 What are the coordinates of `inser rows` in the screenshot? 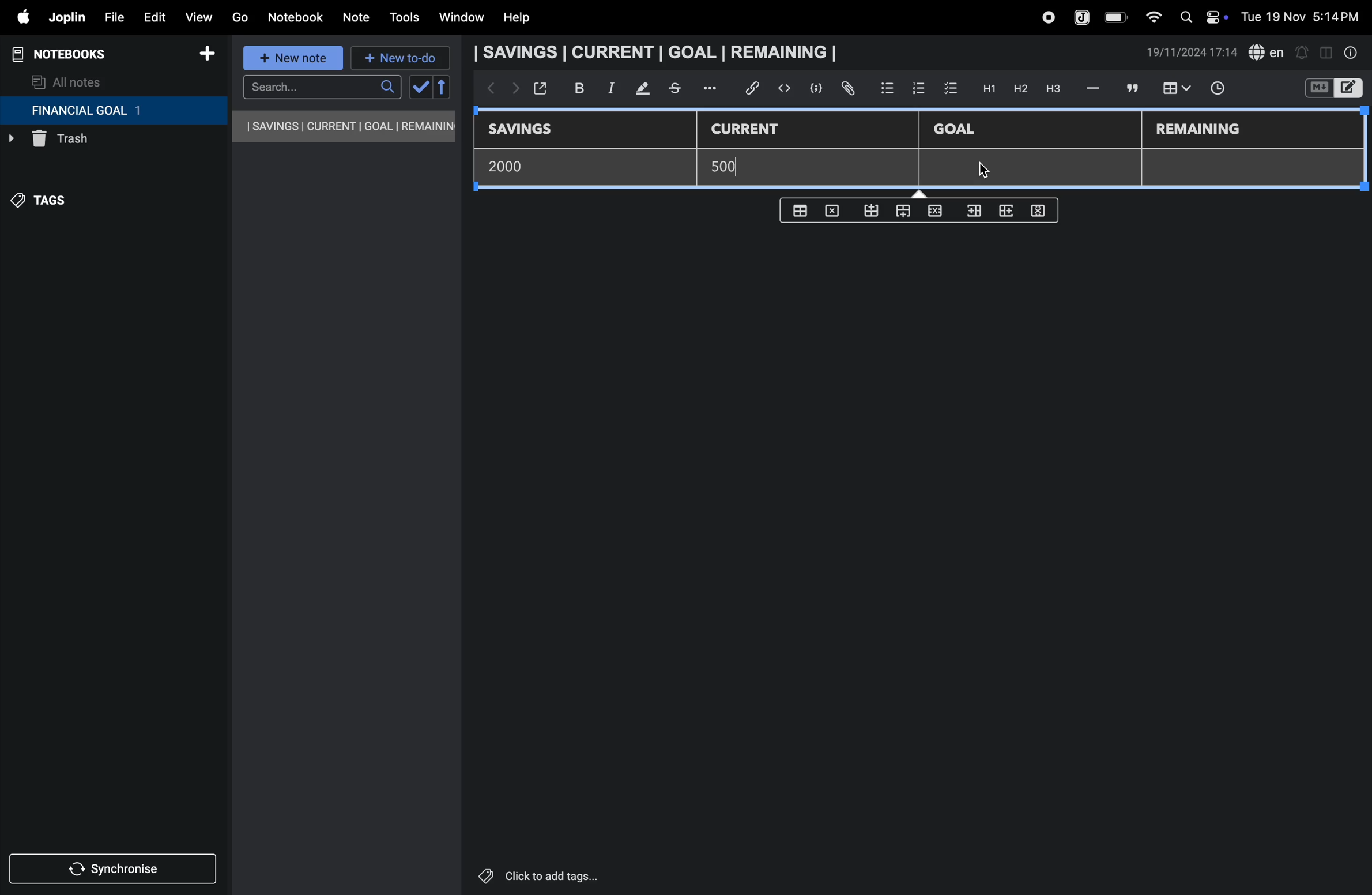 It's located at (972, 213).